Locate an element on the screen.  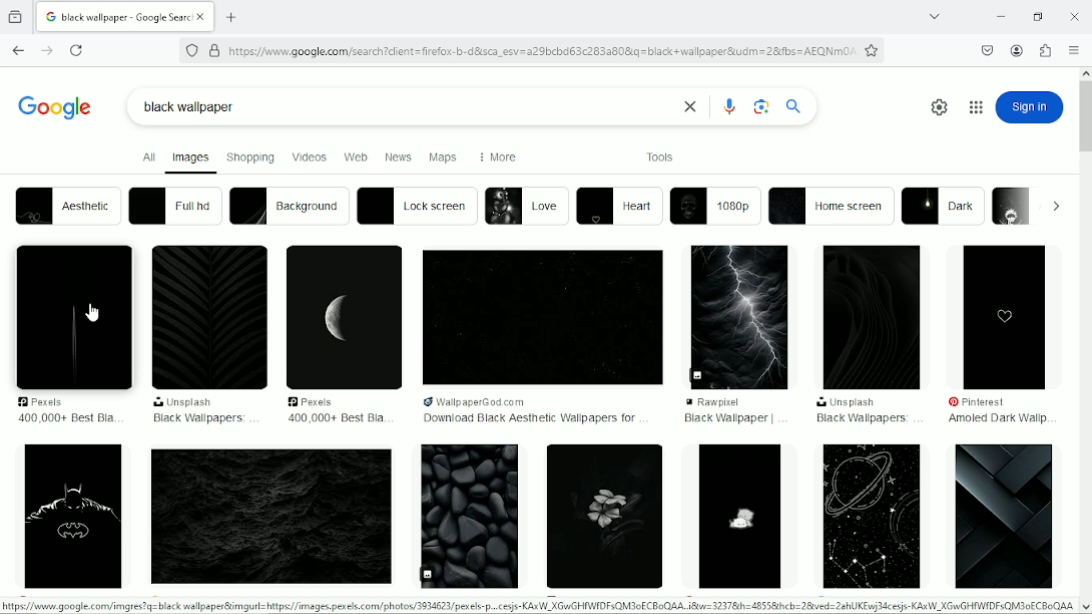
aesthetic is located at coordinates (66, 205).